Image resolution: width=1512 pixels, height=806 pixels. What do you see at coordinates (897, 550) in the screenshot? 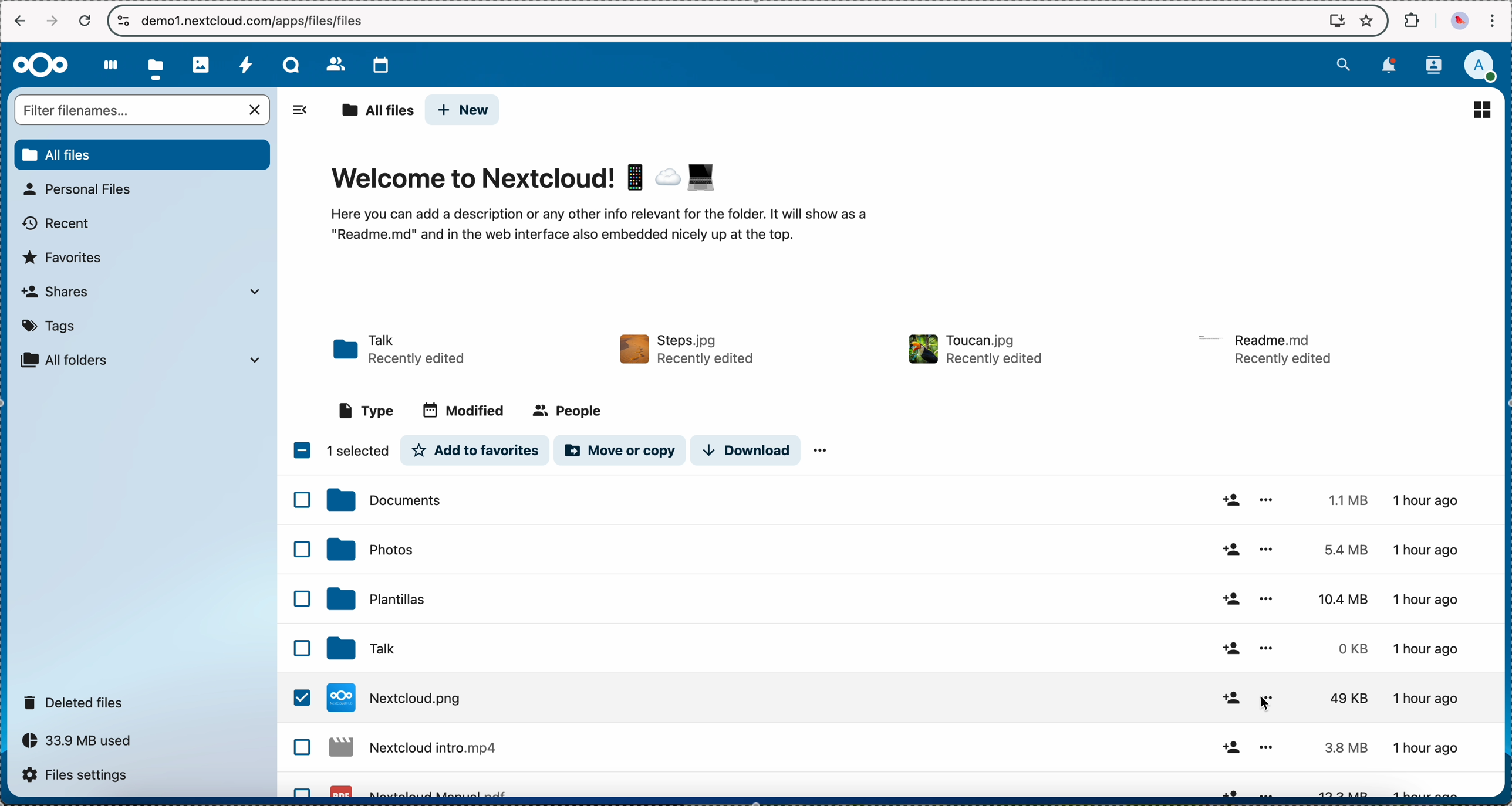
I see `photos` at bounding box center [897, 550].